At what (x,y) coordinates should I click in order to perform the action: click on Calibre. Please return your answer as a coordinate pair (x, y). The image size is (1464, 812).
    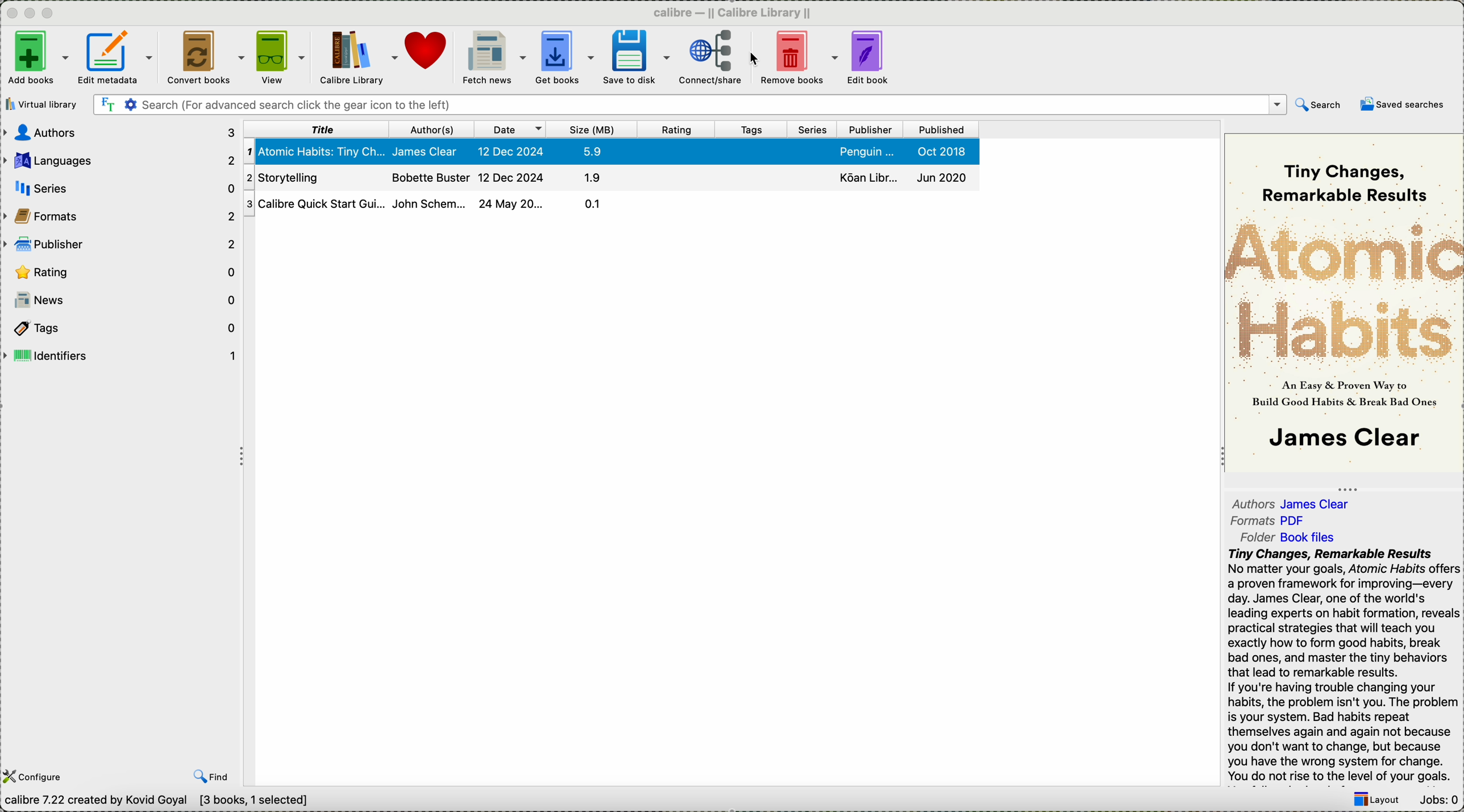
    Looking at the image, I should click on (737, 12).